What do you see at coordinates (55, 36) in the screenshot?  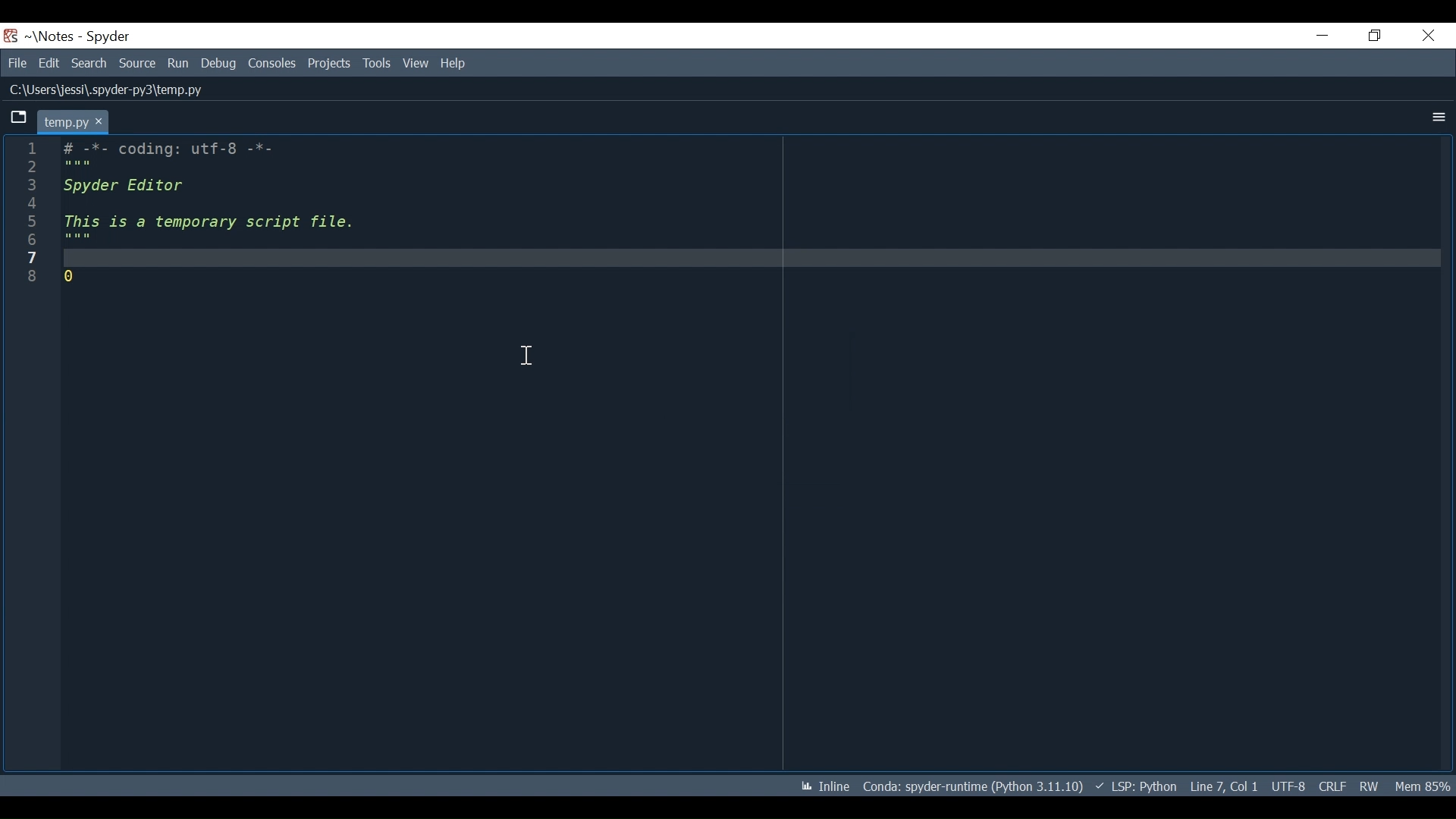 I see `Projects Name` at bounding box center [55, 36].